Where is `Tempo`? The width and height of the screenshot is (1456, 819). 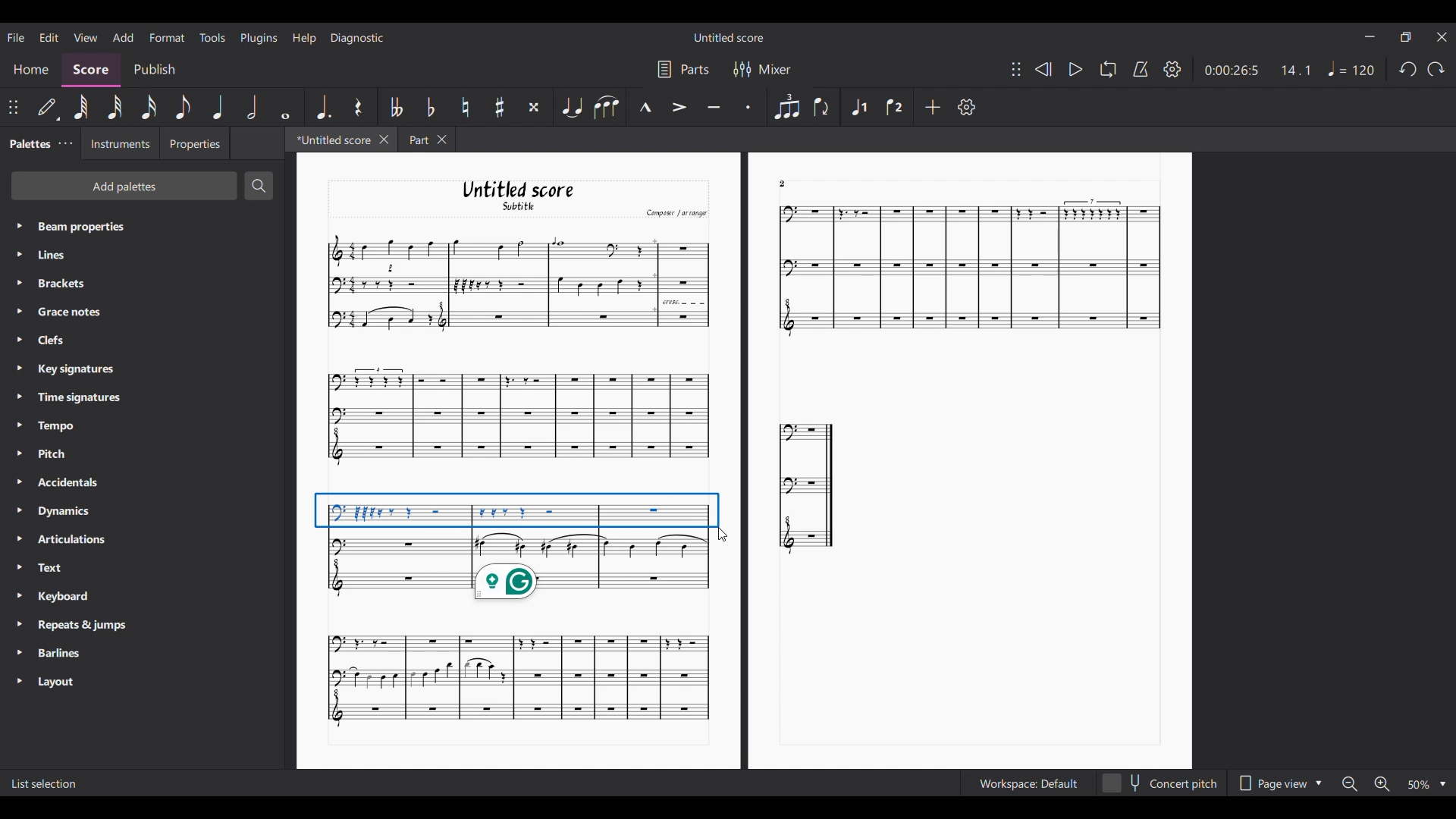
Tempo is located at coordinates (1352, 68).